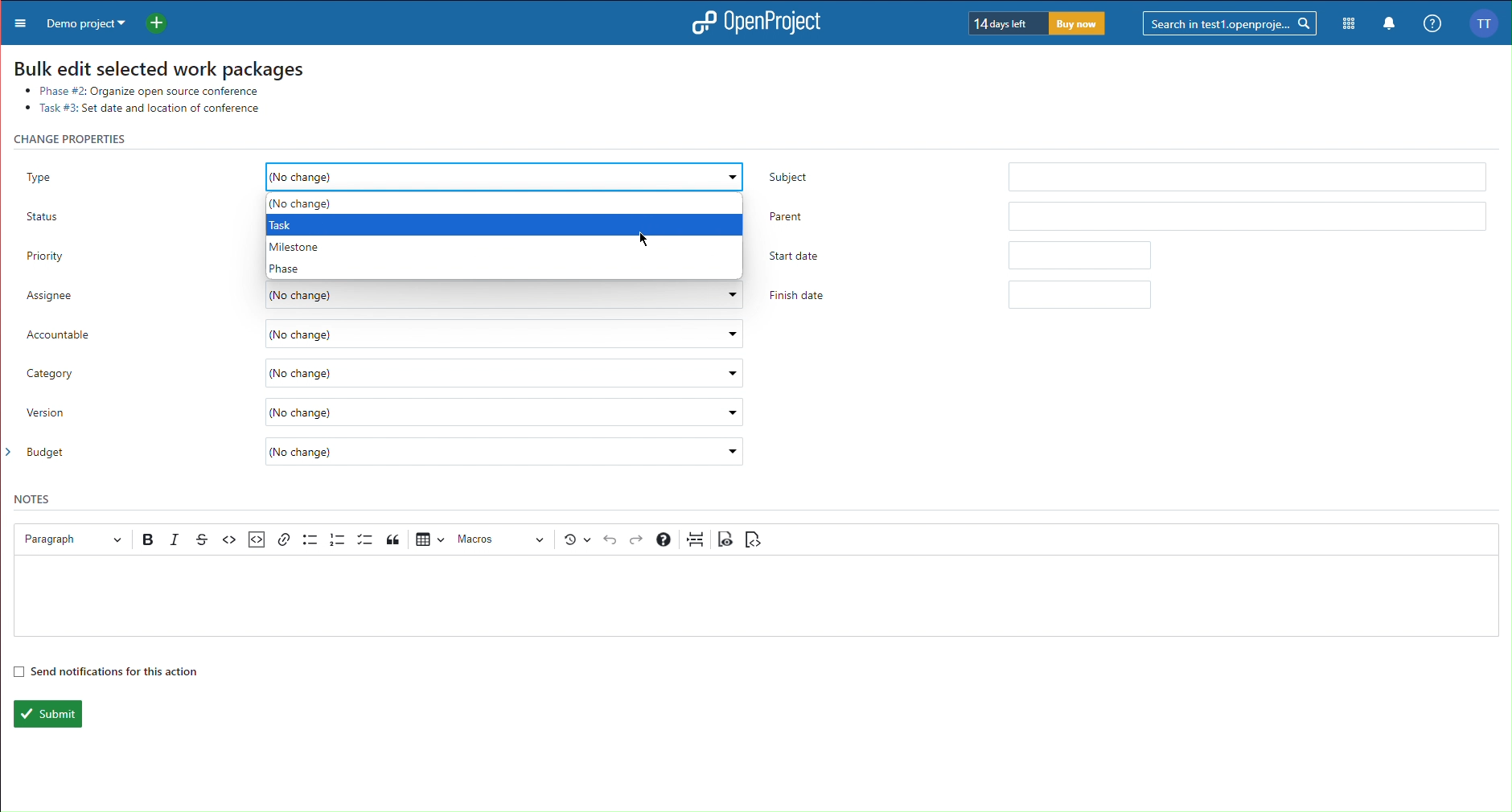 The width and height of the screenshot is (1512, 812). I want to click on Milestone, so click(296, 246).